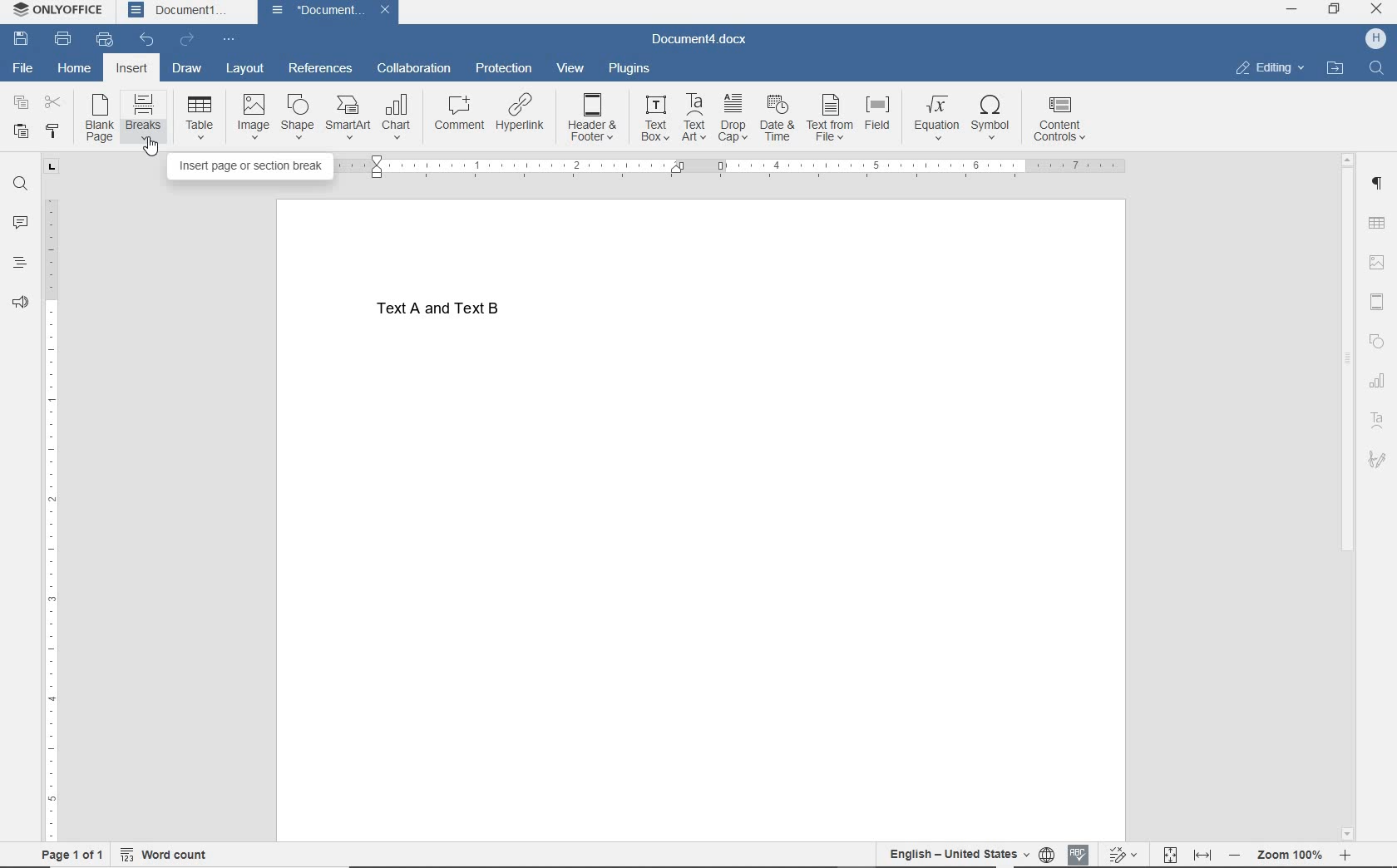 The height and width of the screenshot is (868, 1397). I want to click on SAV, so click(18, 40).